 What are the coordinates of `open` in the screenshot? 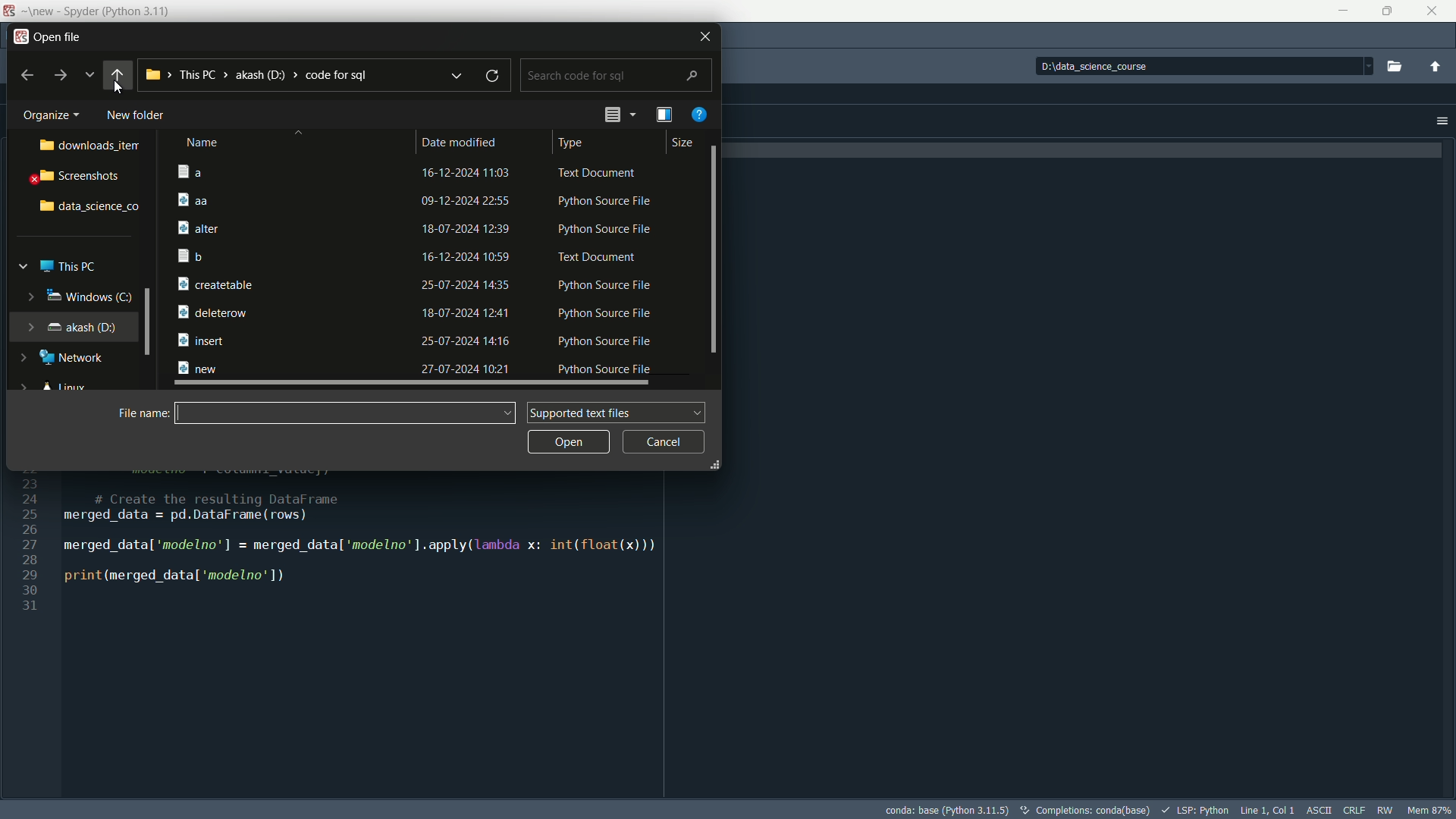 It's located at (564, 441).